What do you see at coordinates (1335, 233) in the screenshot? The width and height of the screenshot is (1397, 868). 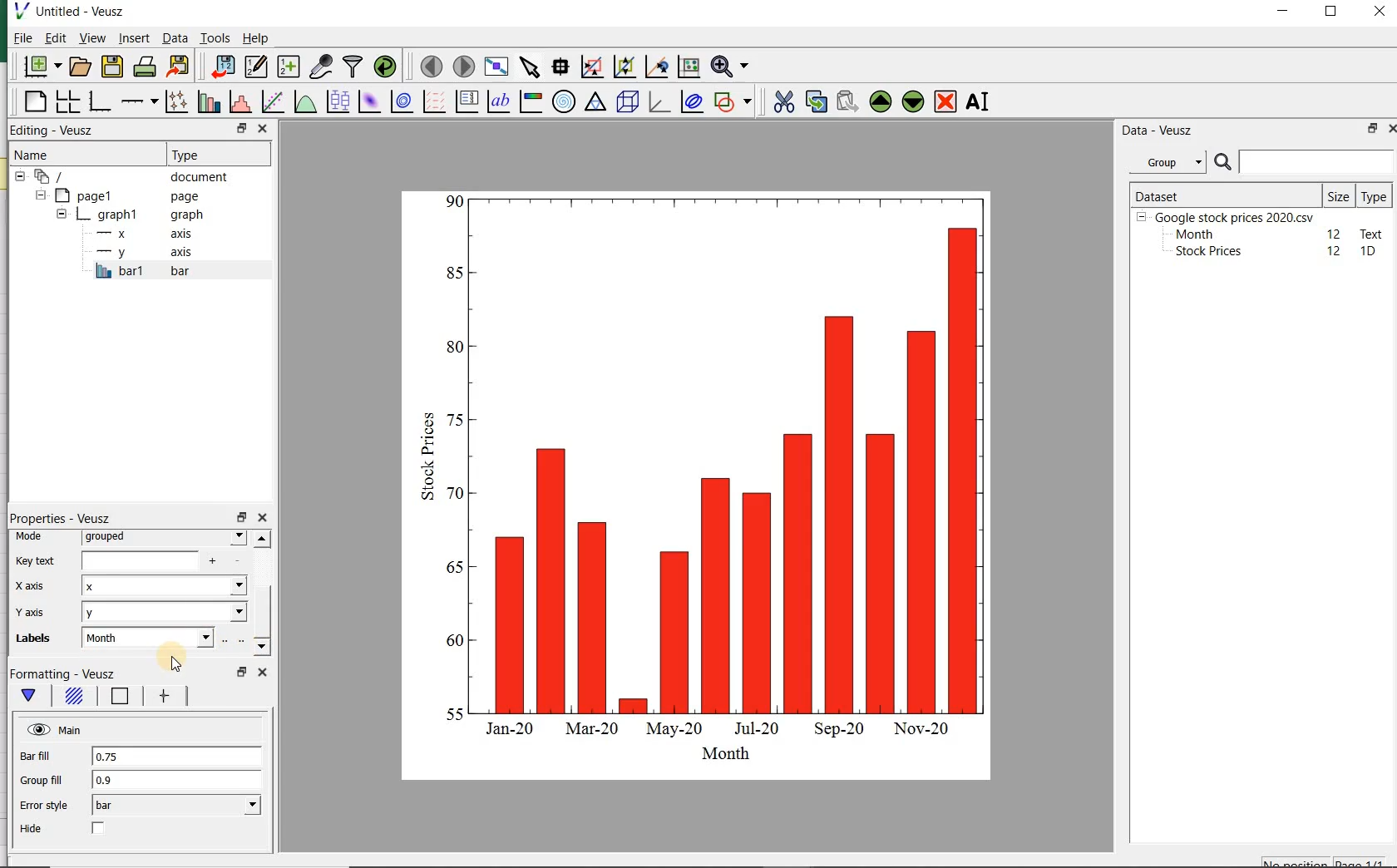 I see `12` at bounding box center [1335, 233].